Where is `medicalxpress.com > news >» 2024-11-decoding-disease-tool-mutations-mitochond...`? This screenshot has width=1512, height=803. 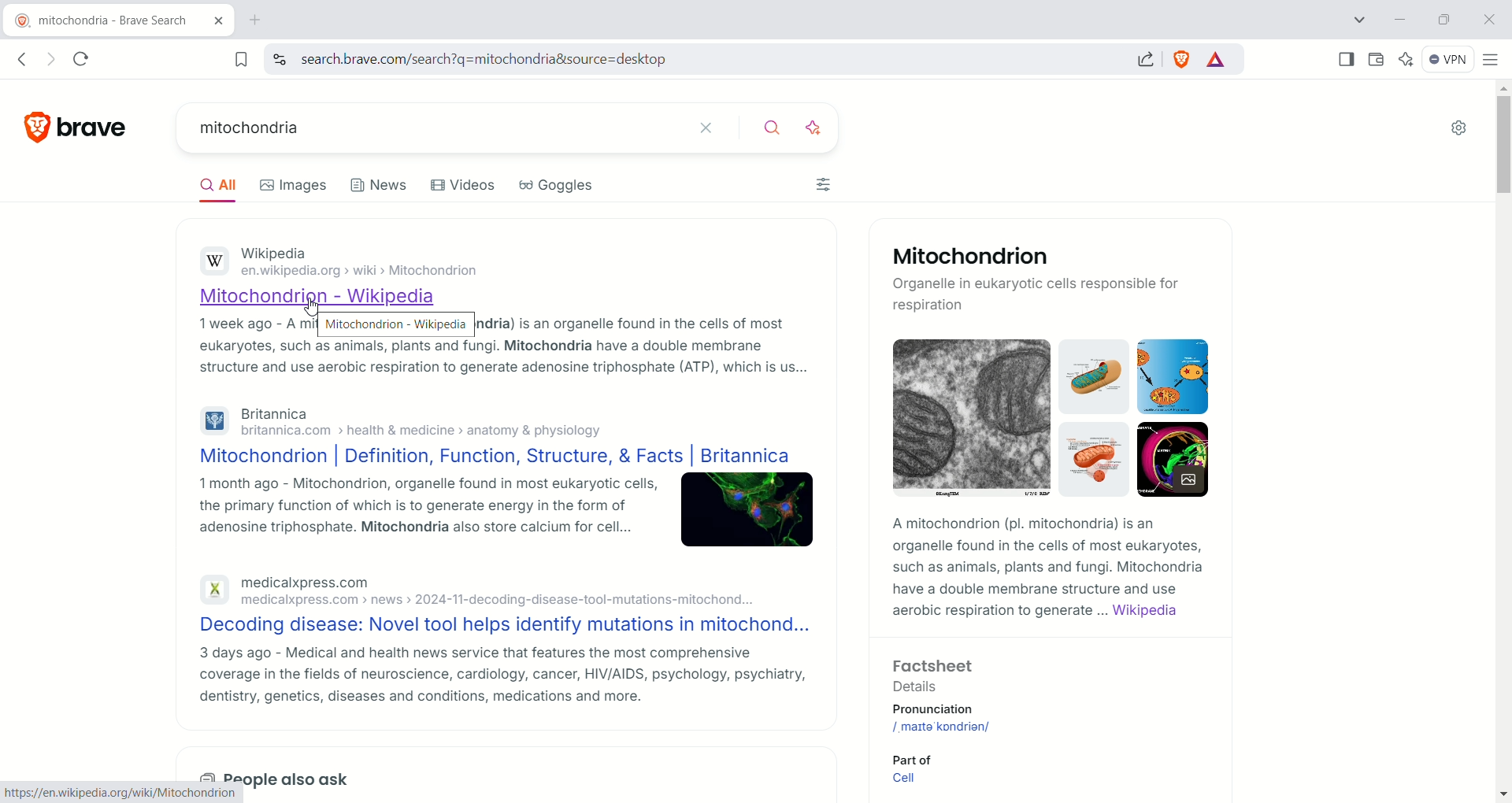 medicalxpress.com > news >» 2024-11-decoding-disease-tool-mutations-mitochond... is located at coordinates (499, 599).